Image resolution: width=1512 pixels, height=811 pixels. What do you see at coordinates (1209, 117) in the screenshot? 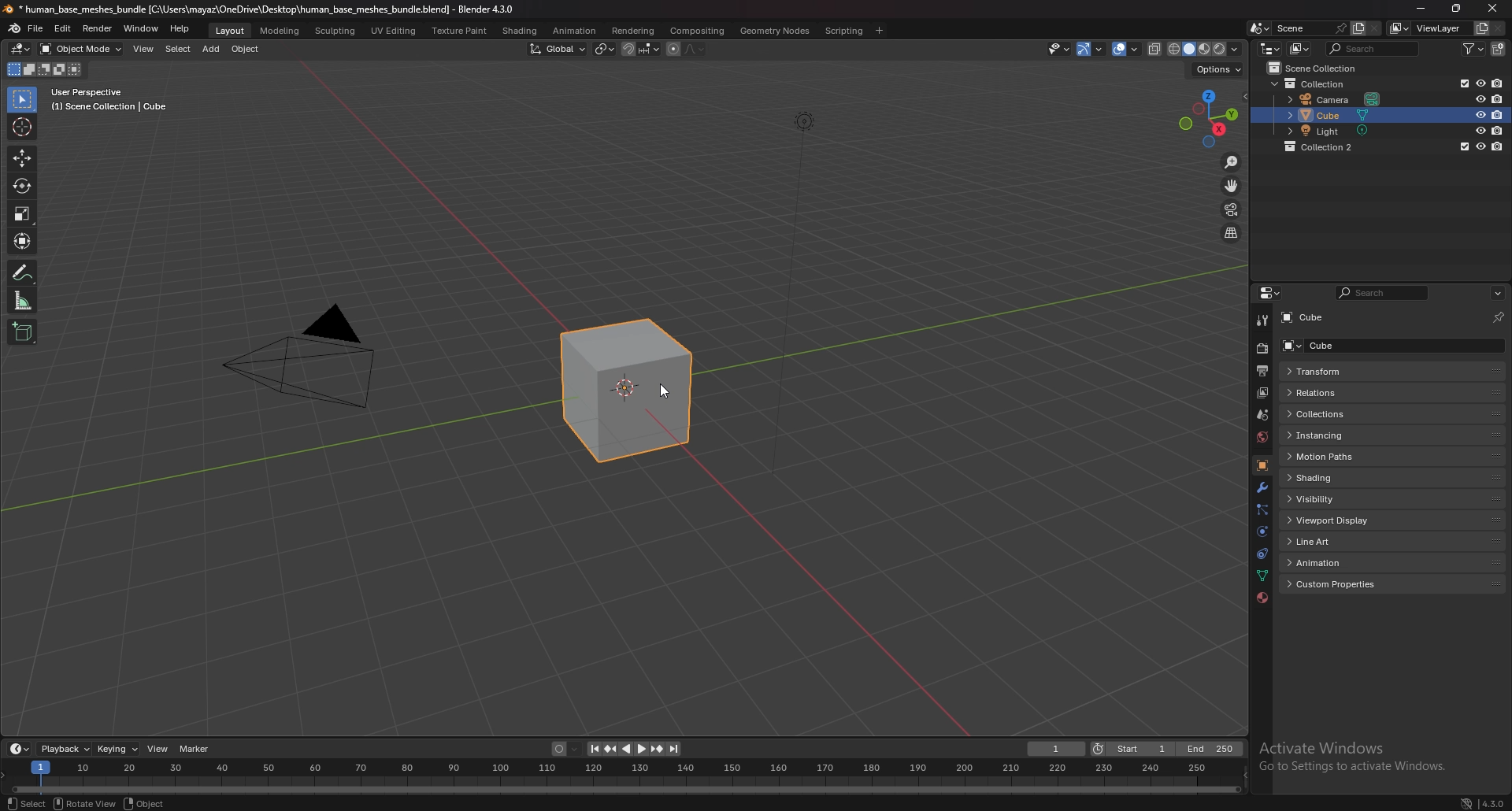
I see `use a preset viewport` at bounding box center [1209, 117].